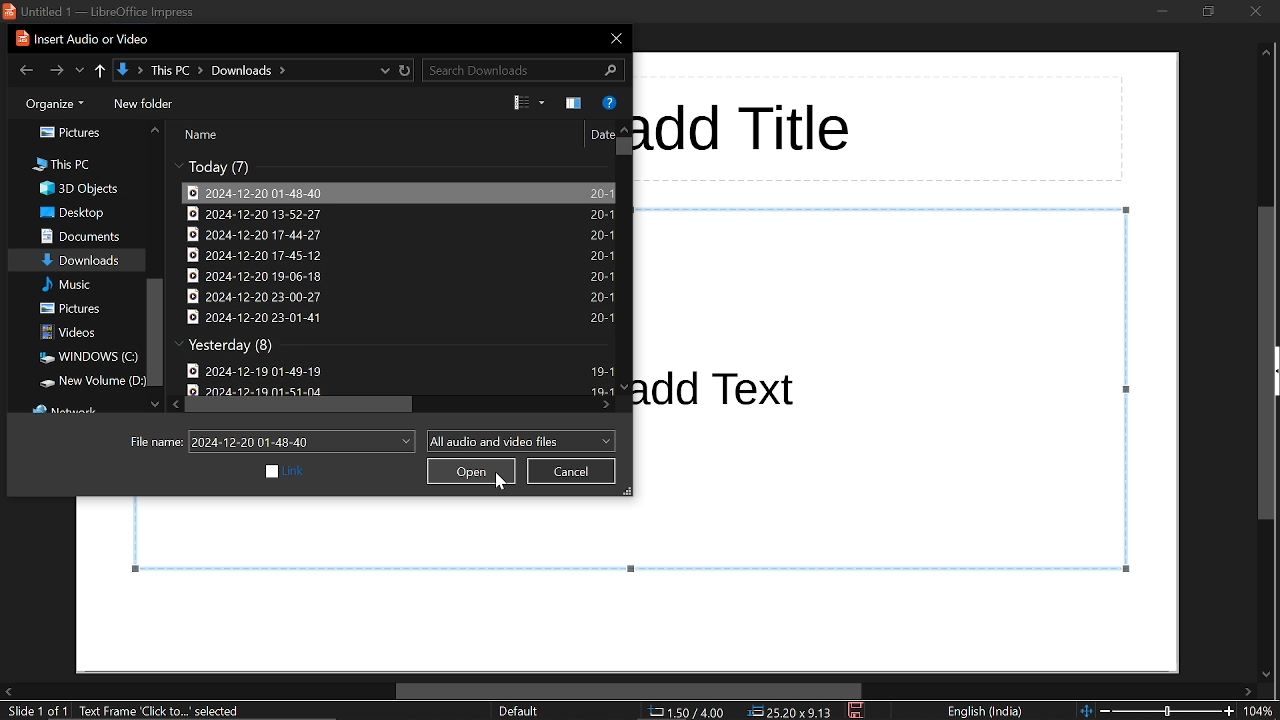  Describe the element at coordinates (624, 387) in the screenshot. I see `move down` at that location.